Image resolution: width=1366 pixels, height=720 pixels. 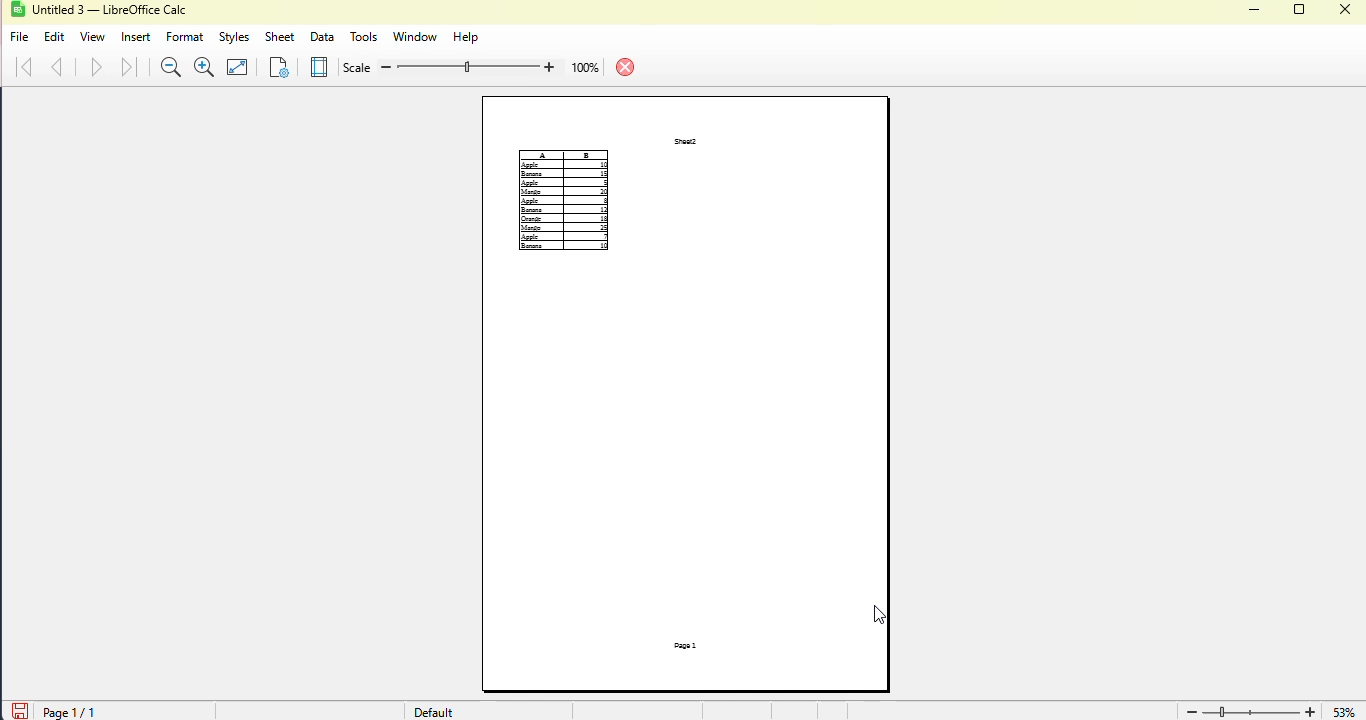 I want to click on next page, so click(x=96, y=67).